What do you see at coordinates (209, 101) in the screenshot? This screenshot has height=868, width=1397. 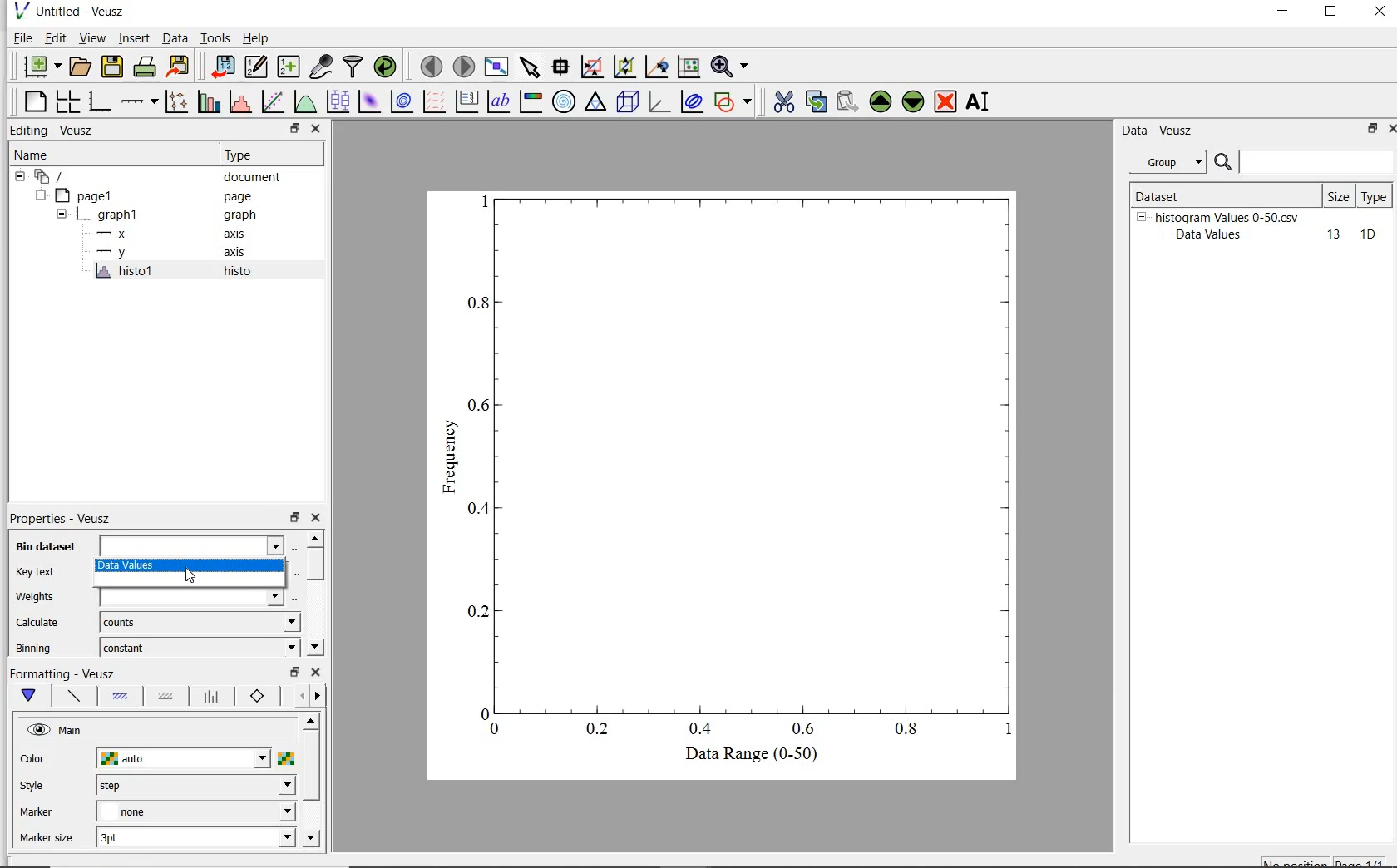 I see `plot bar charts` at bounding box center [209, 101].